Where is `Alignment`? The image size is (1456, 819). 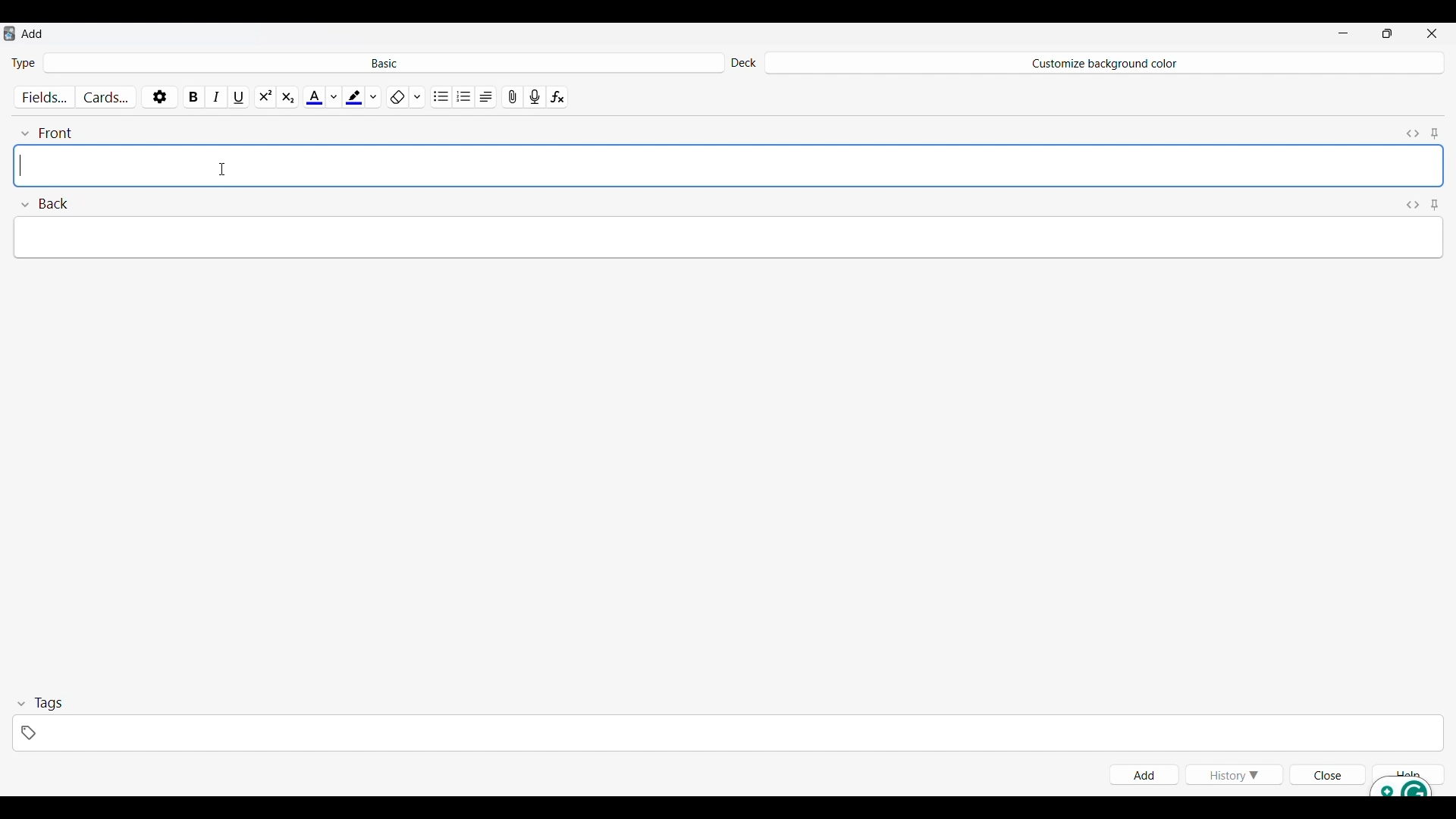
Alignment is located at coordinates (486, 95).